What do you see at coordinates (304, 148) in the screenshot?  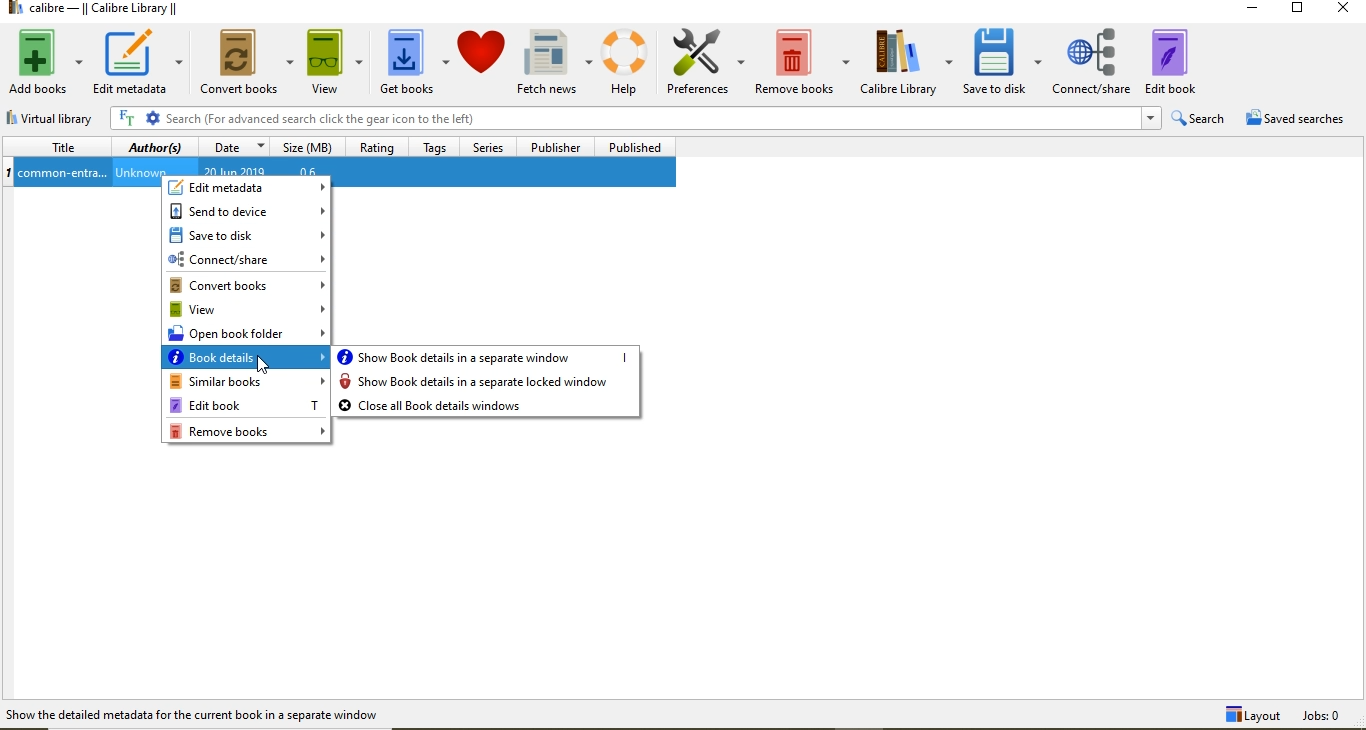 I see `size(MB)` at bounding box center [304, 148].